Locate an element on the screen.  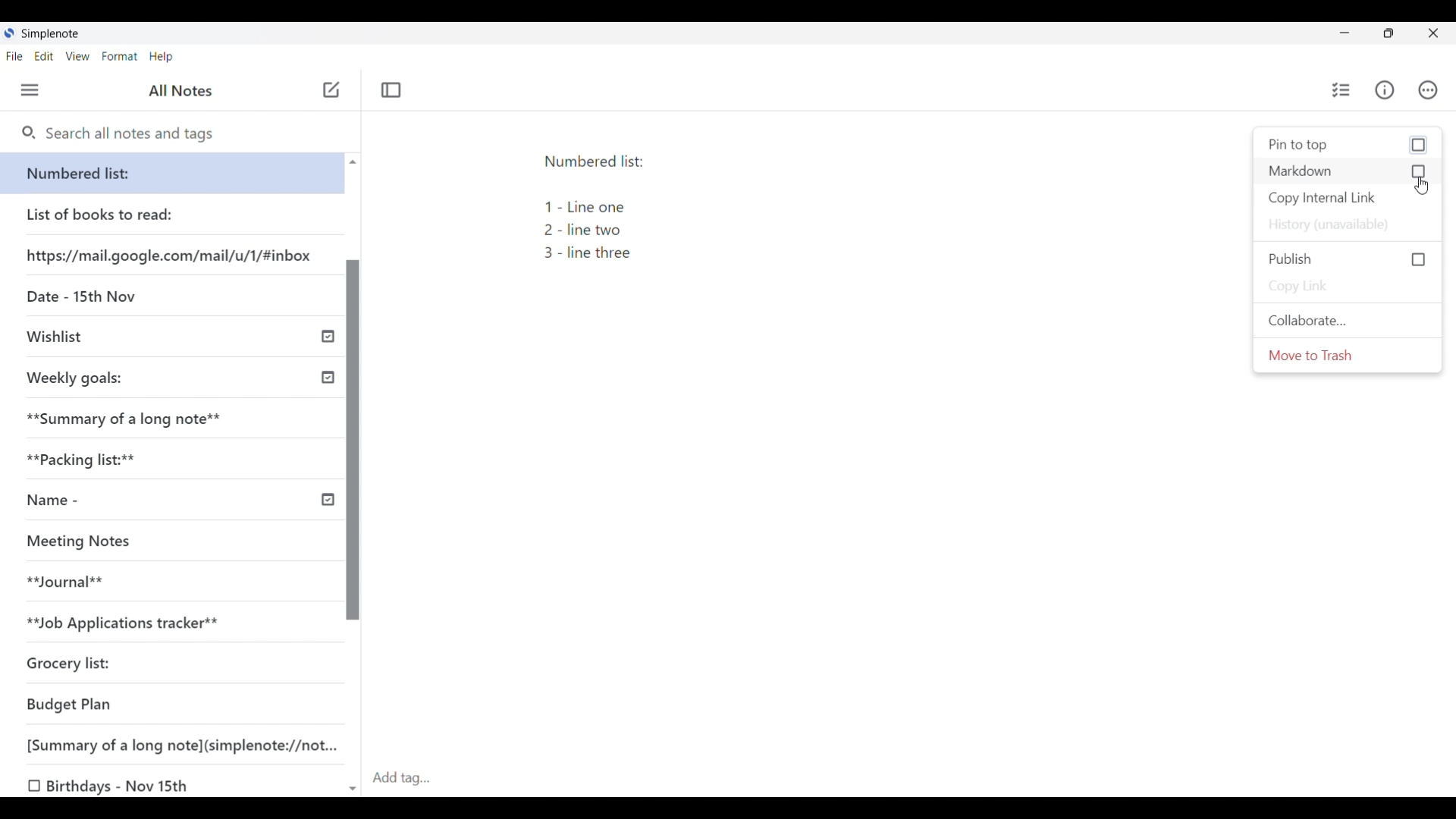
Grocery list: is located at coordinates (87, 667).